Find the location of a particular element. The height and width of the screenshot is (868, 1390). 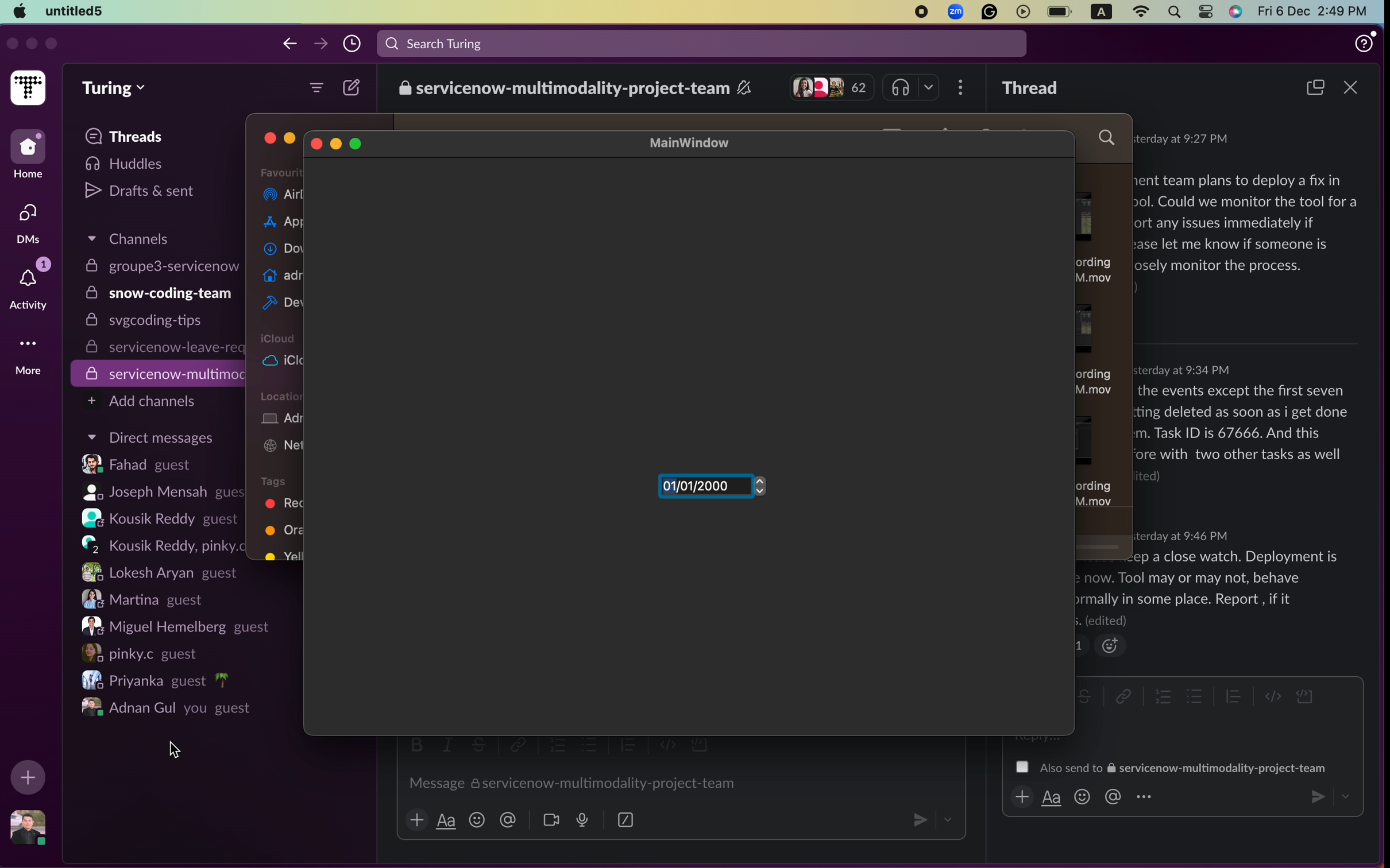

emoji is located at coordinates (1109, 646).